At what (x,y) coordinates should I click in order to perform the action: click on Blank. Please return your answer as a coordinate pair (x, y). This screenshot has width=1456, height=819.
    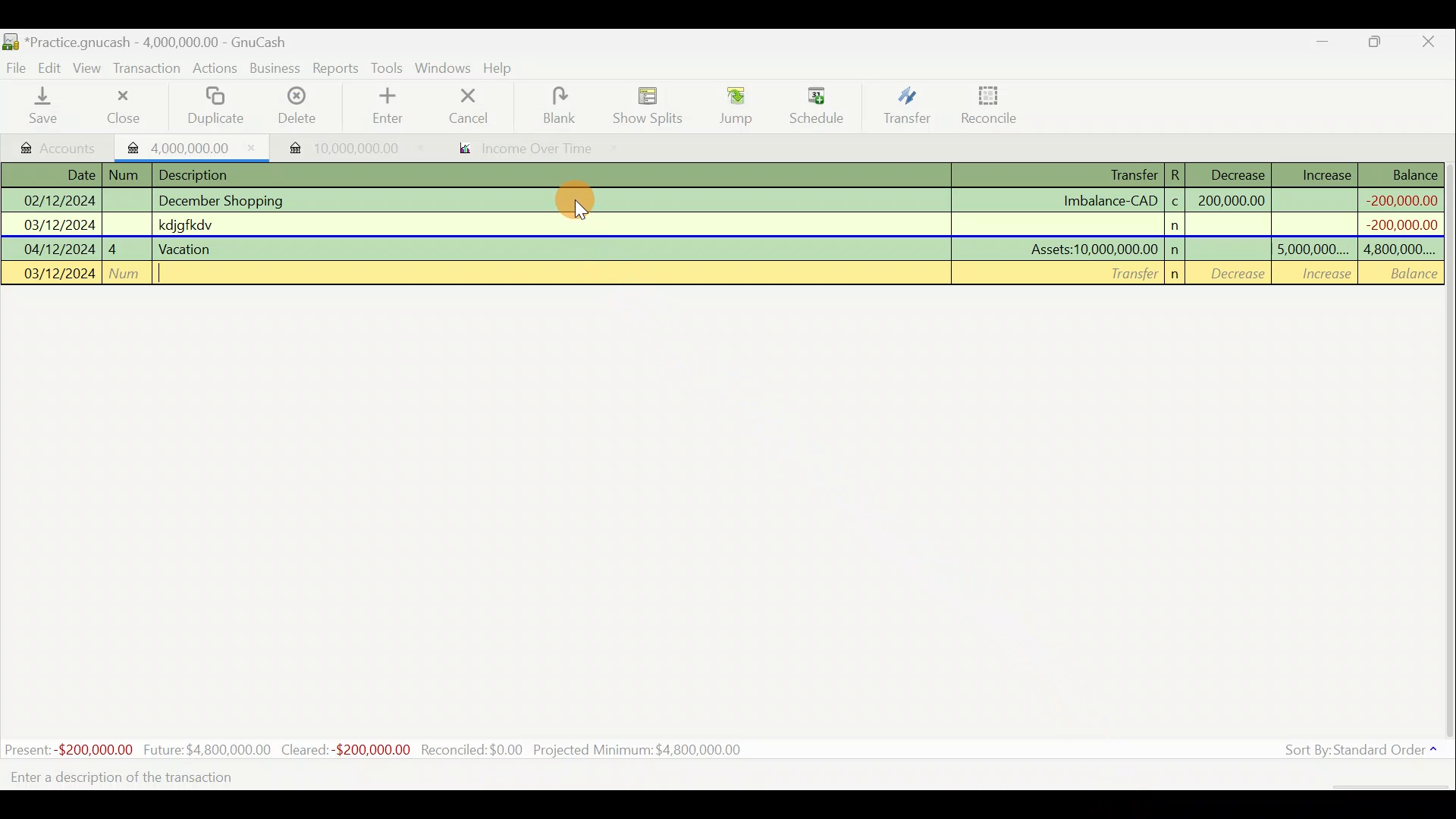
    Looking at the image, I should click on (557, 106).